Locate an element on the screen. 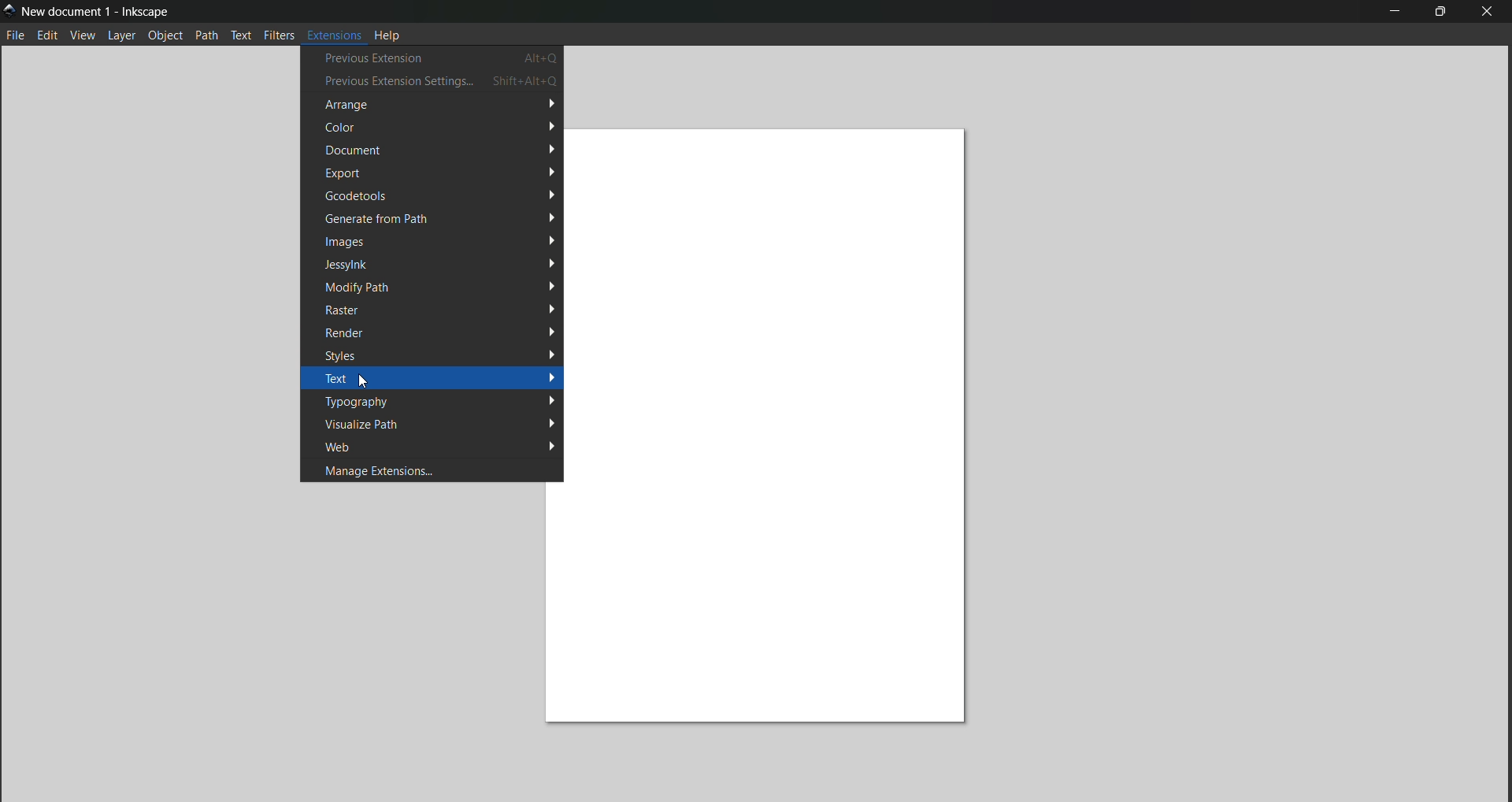 Image resolution: width=1512 pixels, height=802 pixels. layer is located at coordinates (124, 36).